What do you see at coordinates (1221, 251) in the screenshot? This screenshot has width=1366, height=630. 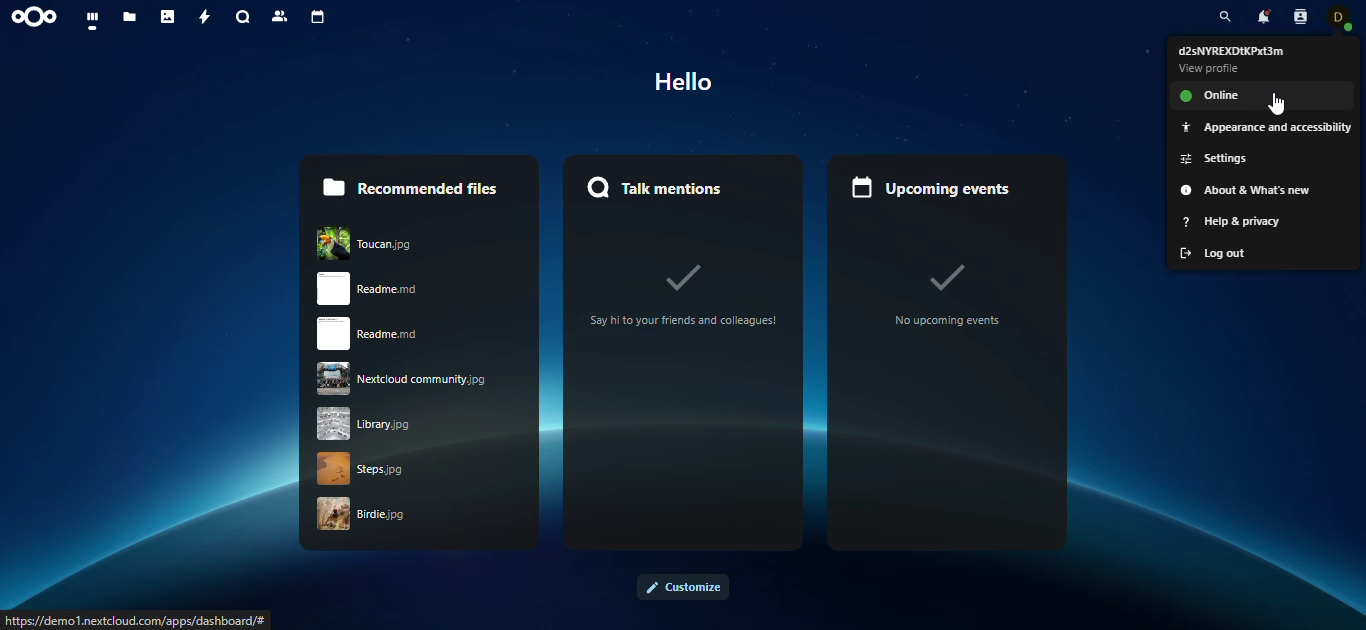 I see `log out` at bounding box center [1221, 251].